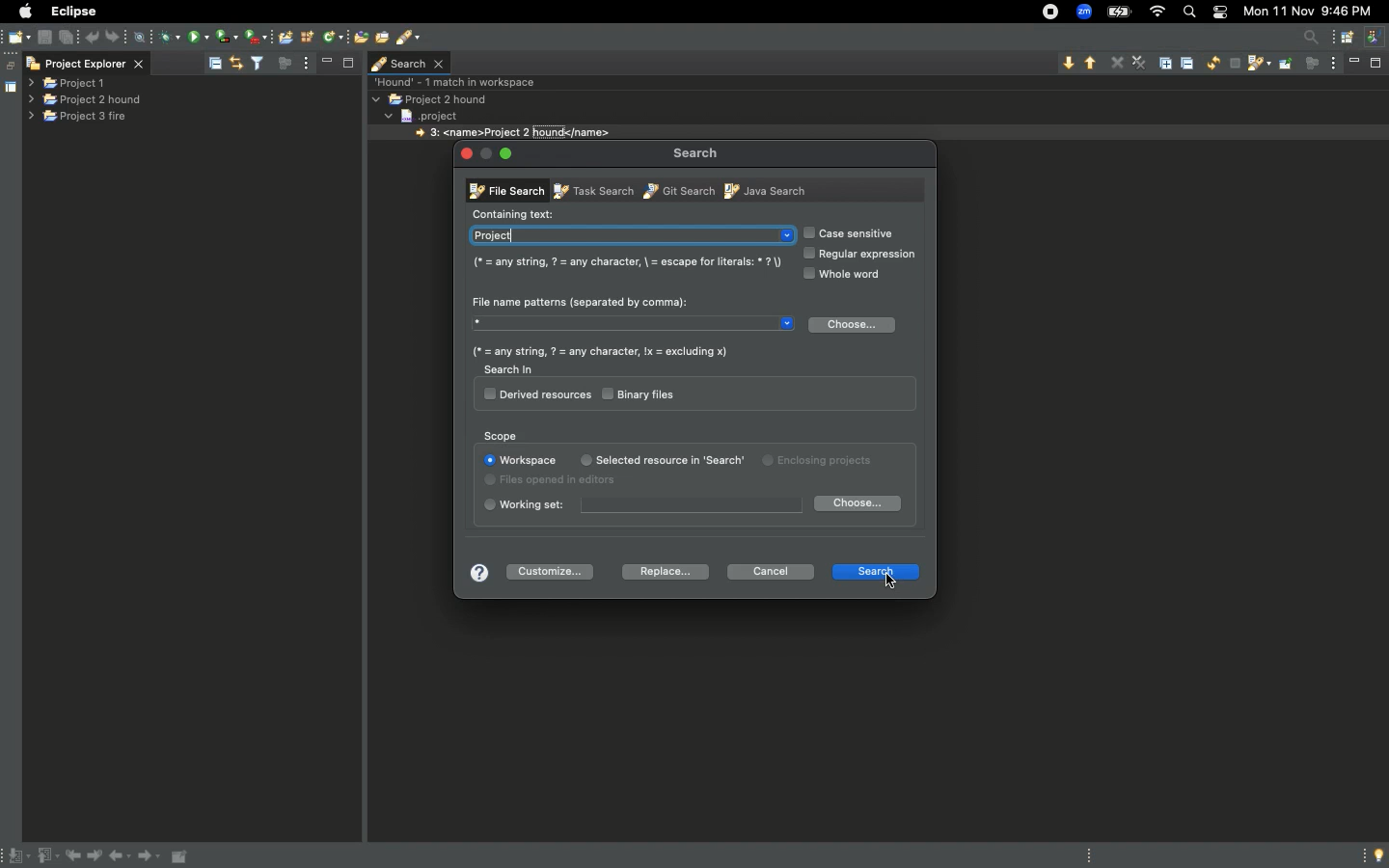  What do you see at coordinates (636, 326) in the screenshot?
I see `Star` at bounding box center [636, 326].